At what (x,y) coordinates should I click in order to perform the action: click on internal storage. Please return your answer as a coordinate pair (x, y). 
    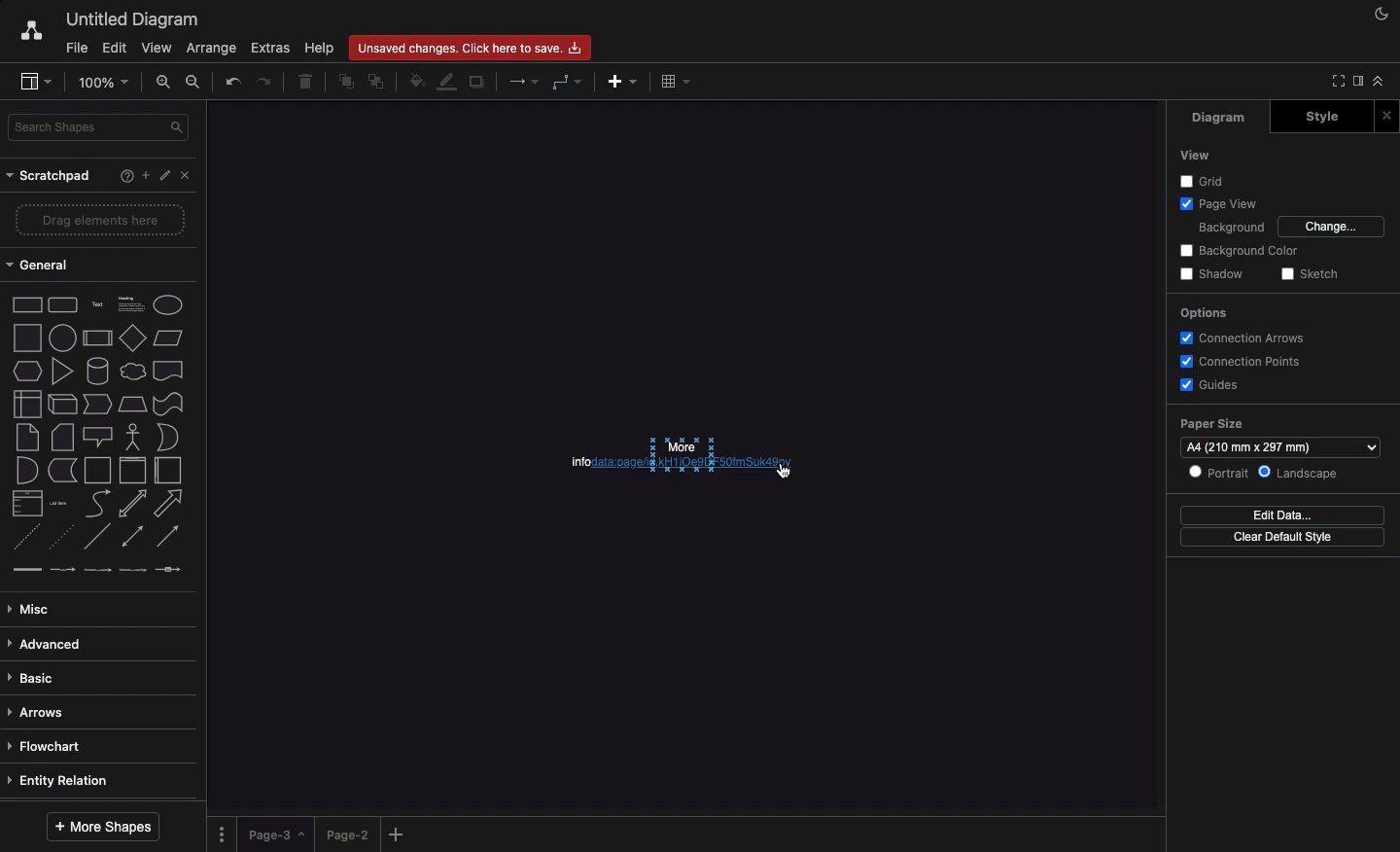
    Looking at the image, I should click on (28, 404).